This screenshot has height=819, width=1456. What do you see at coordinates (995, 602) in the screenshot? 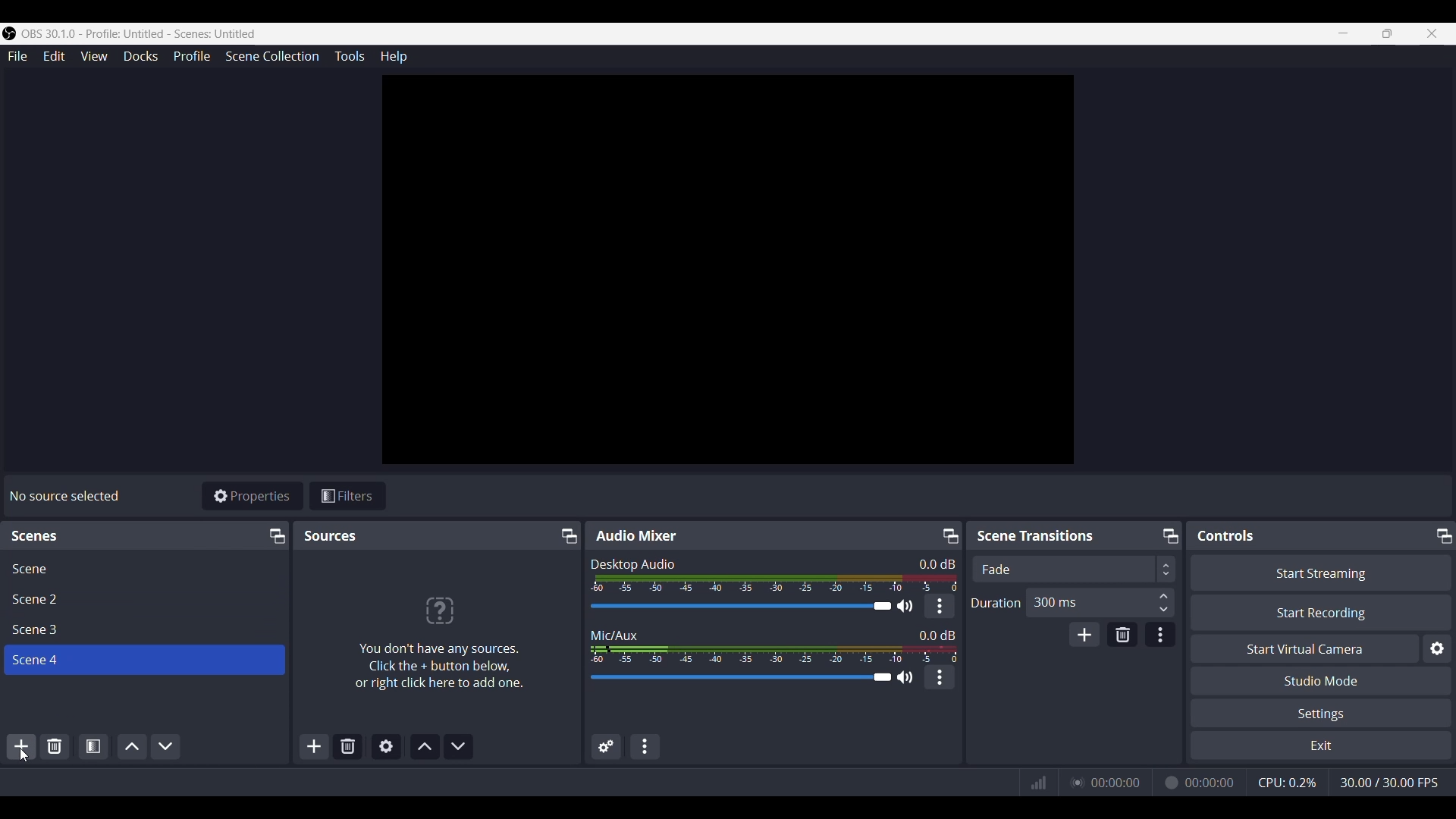
I see `Duration Adjuster` at bounding box center [995, 602].